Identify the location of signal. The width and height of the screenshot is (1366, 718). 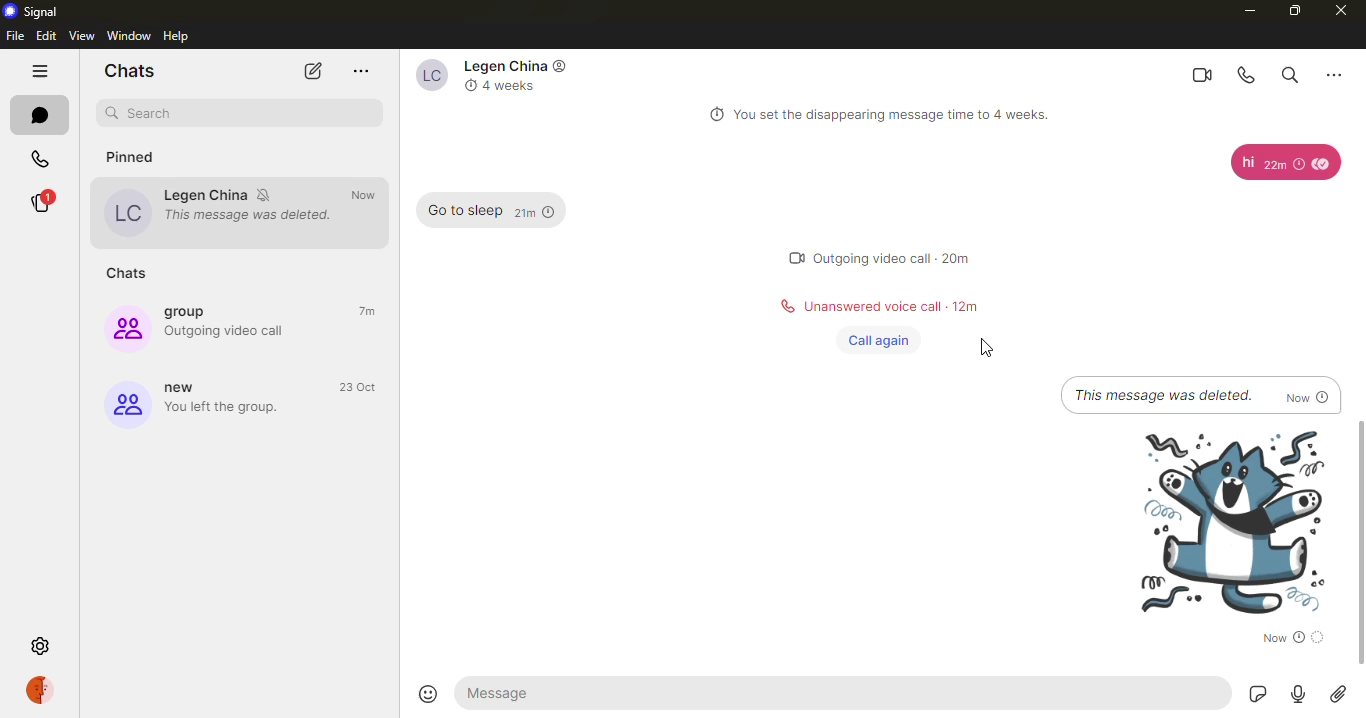
(39, 13).